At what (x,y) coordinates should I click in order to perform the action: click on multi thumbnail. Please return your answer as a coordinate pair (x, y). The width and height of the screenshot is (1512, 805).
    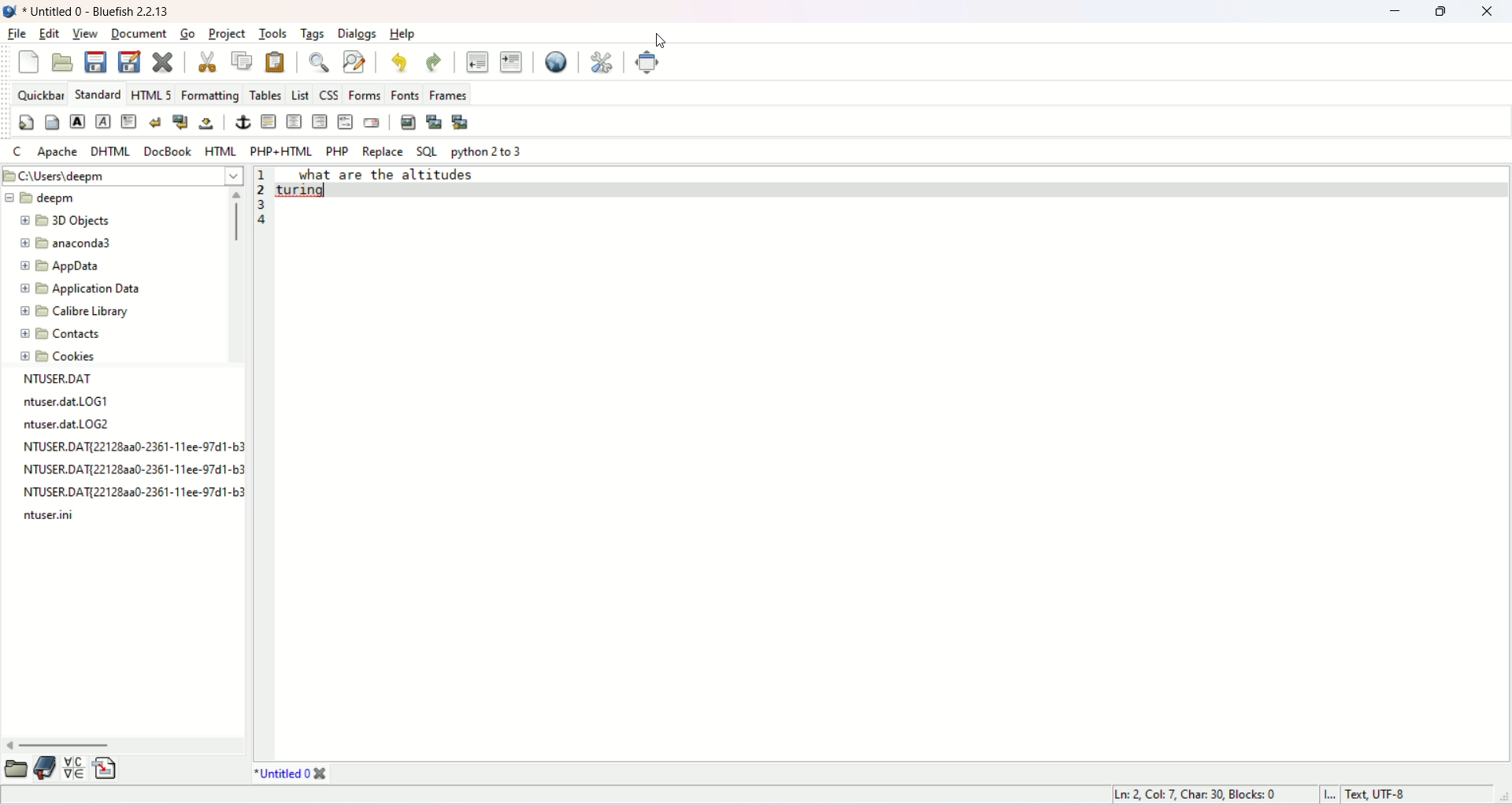
    Looking at the image, I should click on (463, 121).